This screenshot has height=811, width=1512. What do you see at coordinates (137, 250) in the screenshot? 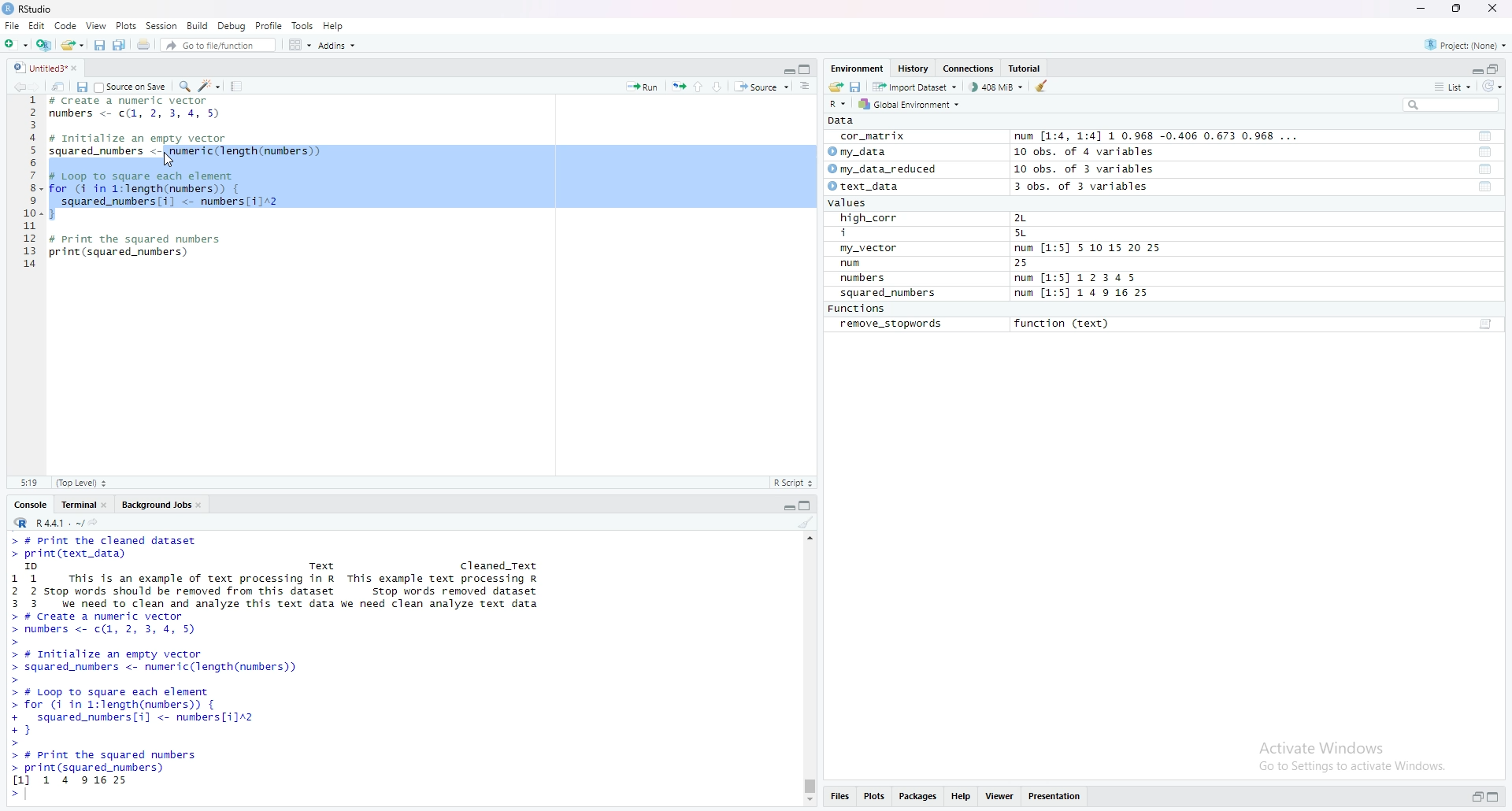
I see `# Print the squared numbers
print (squared_nunbers)` at bounding box center [137, 250].